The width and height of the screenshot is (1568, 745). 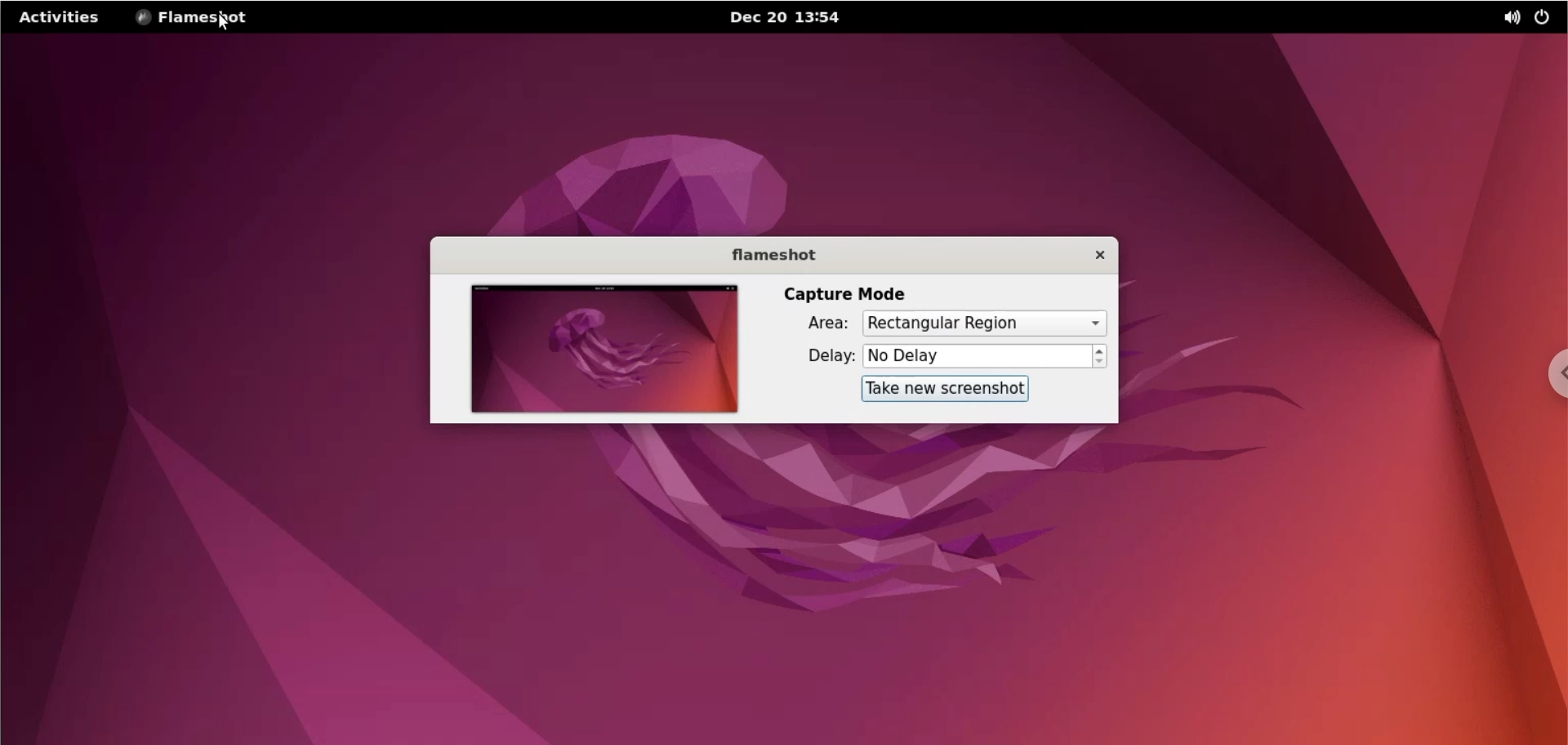 I want to click on capture mode area options, so click(x=983, y=324).